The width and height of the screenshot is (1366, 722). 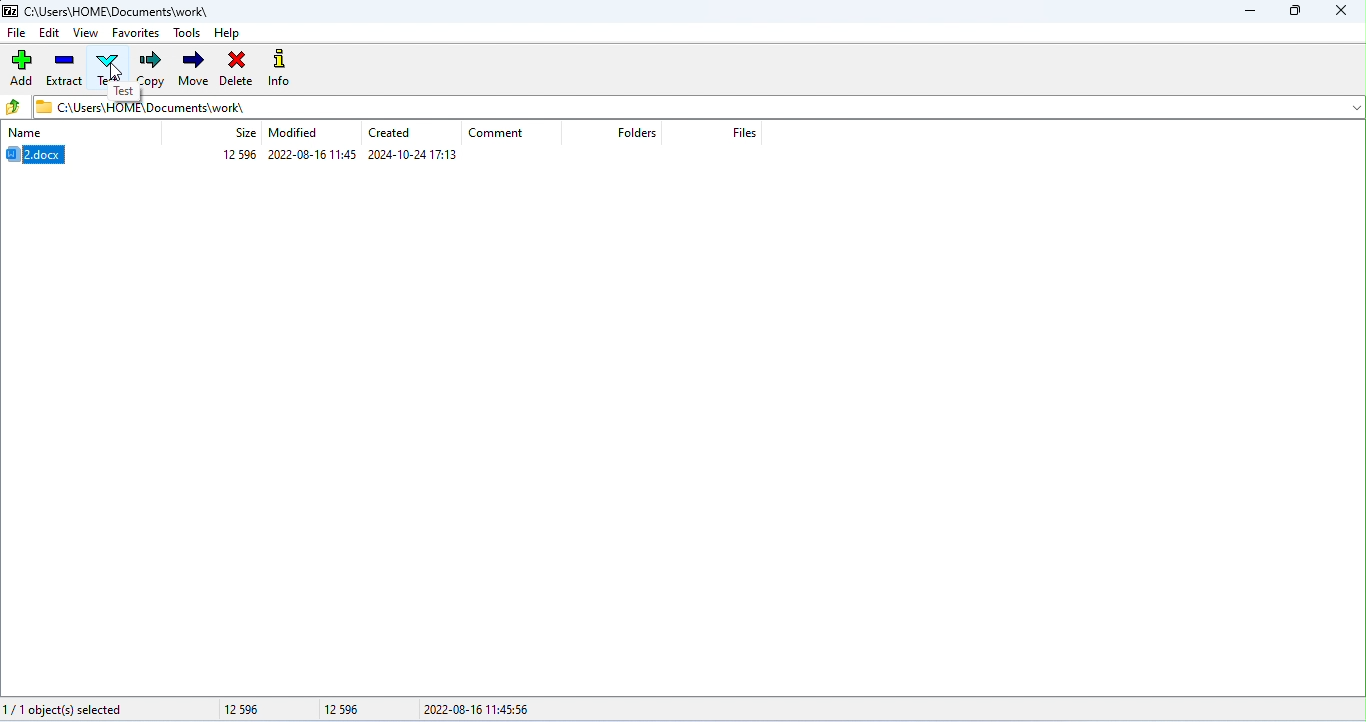 What do you see at coordinates (1252, 14) in the screenshot?
I see `minimize` at bounding box center [1252, 14].